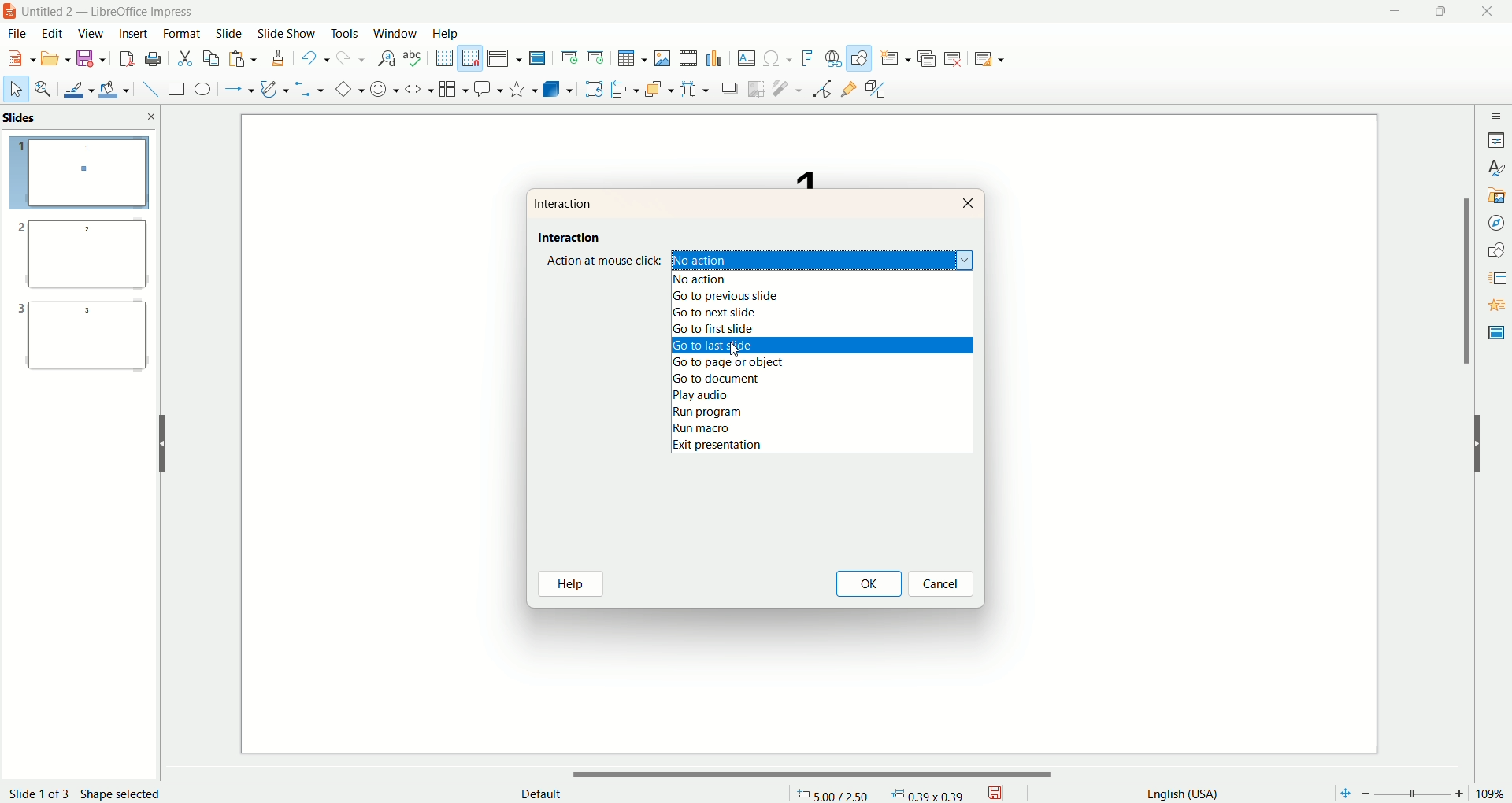 Image resolution: width=1512 pixels, height=803 pixels. What do you see at coordinates (575, 585) in the screenshot?
I see `help` at bounding box center [575, 585].